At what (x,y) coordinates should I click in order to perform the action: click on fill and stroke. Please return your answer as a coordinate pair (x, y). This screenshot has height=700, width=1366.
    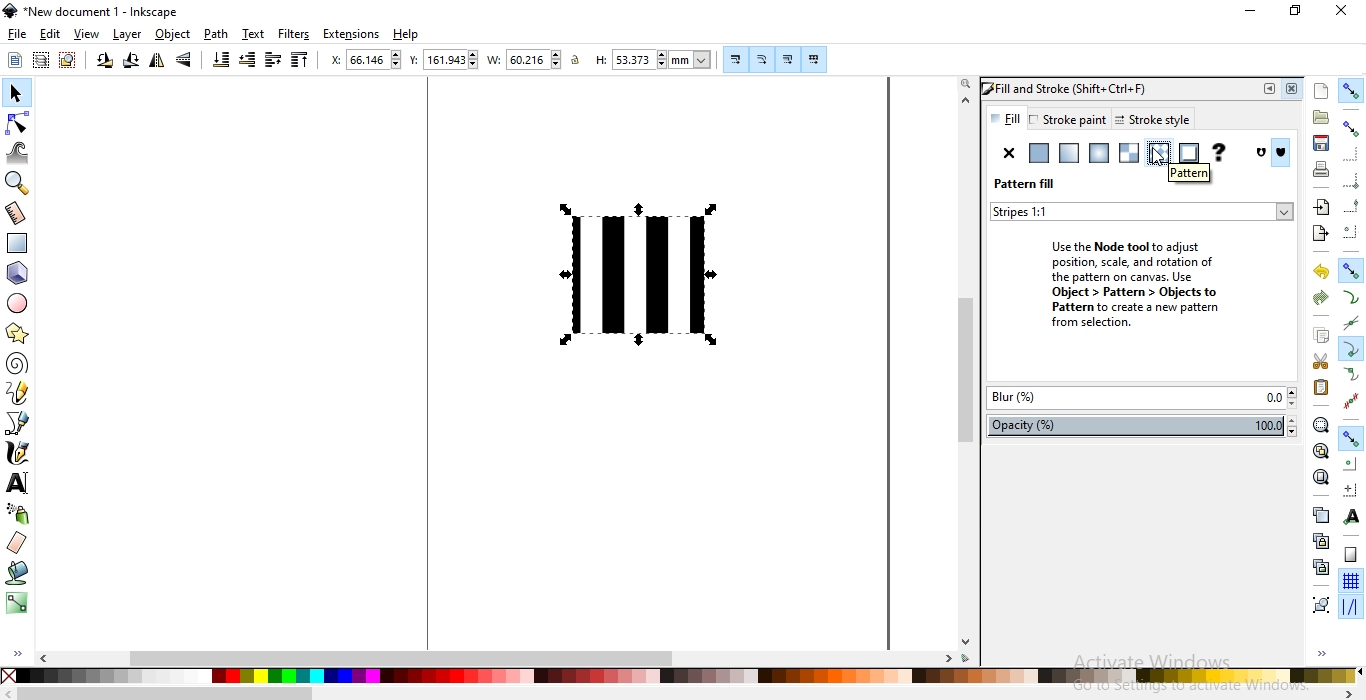
    Looking at the image, I should click on (1080, 87).